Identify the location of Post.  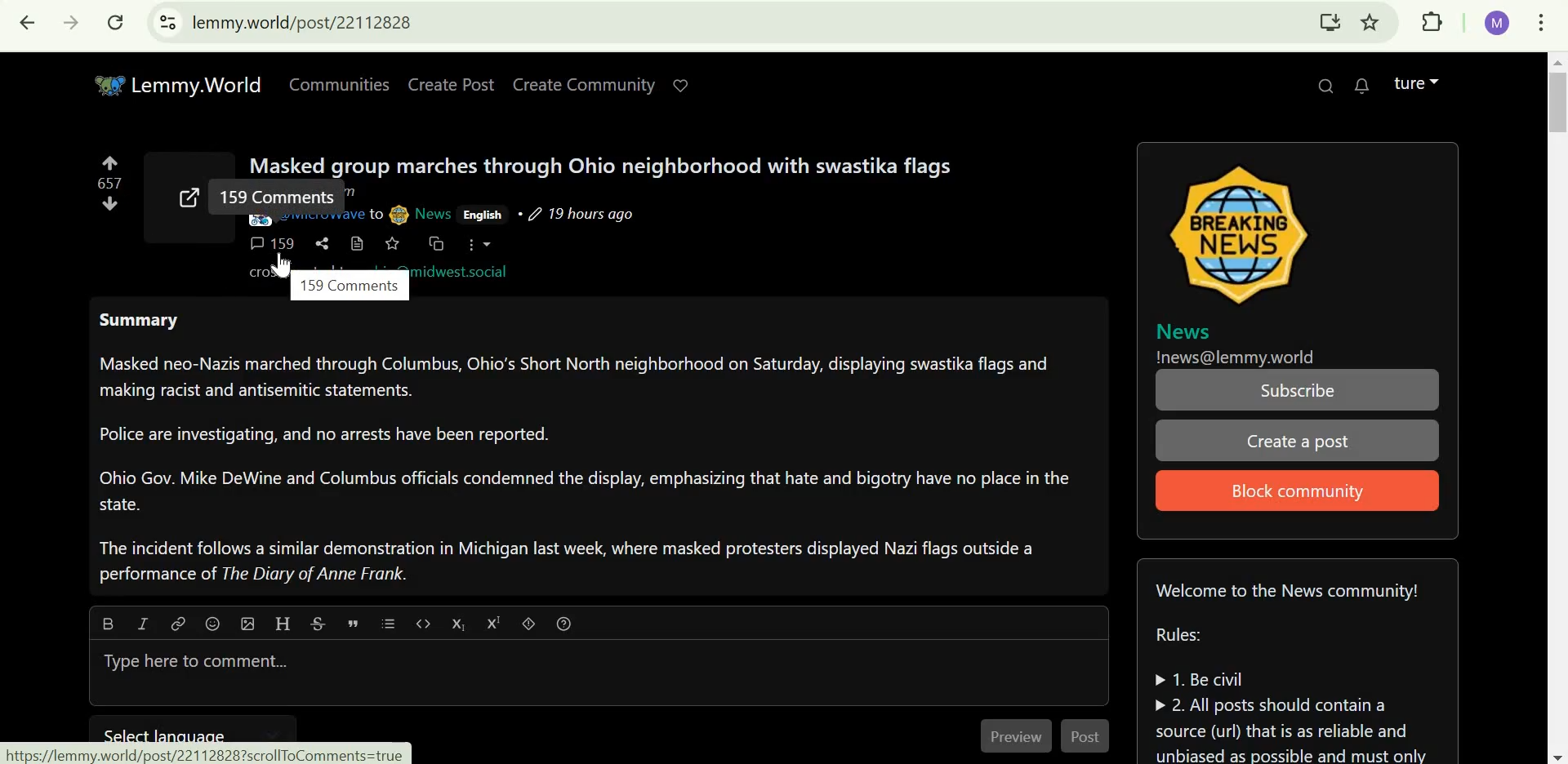
(1091, 736).